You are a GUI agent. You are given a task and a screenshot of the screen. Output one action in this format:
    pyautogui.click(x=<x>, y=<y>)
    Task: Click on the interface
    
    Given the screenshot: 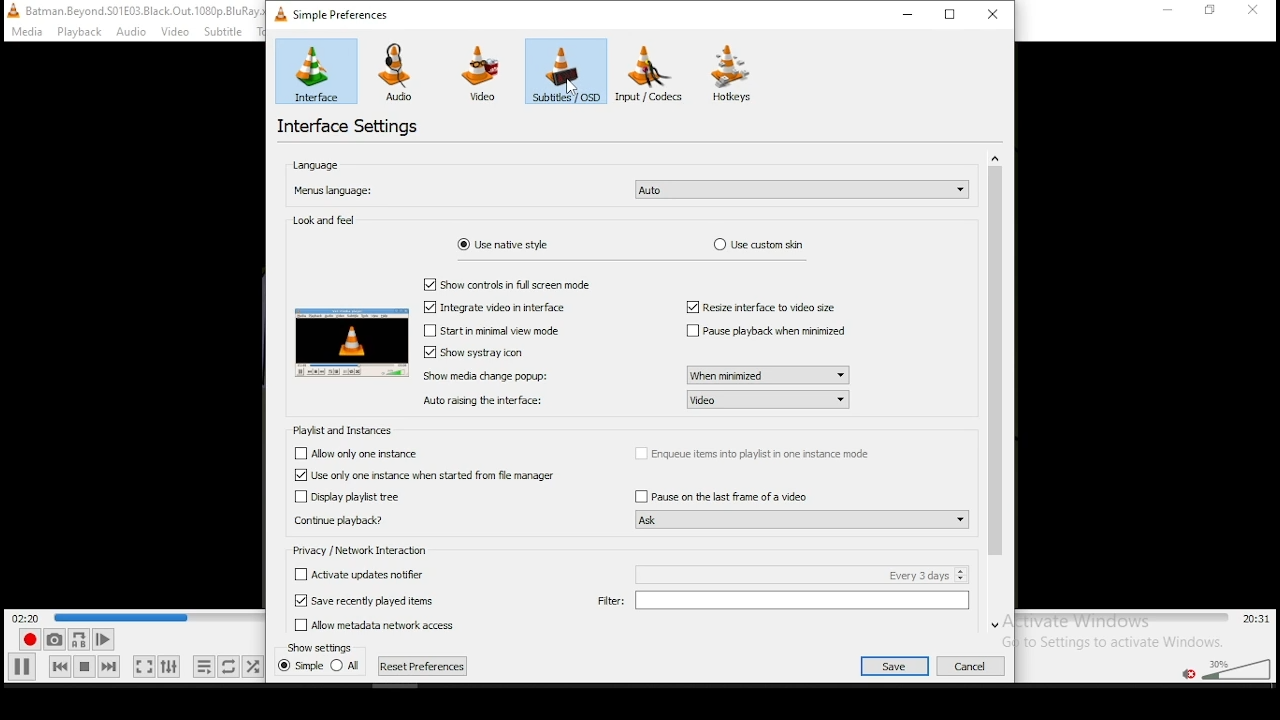 What is the action you would take?
    pyautogui.click(x=313, y=72)
    